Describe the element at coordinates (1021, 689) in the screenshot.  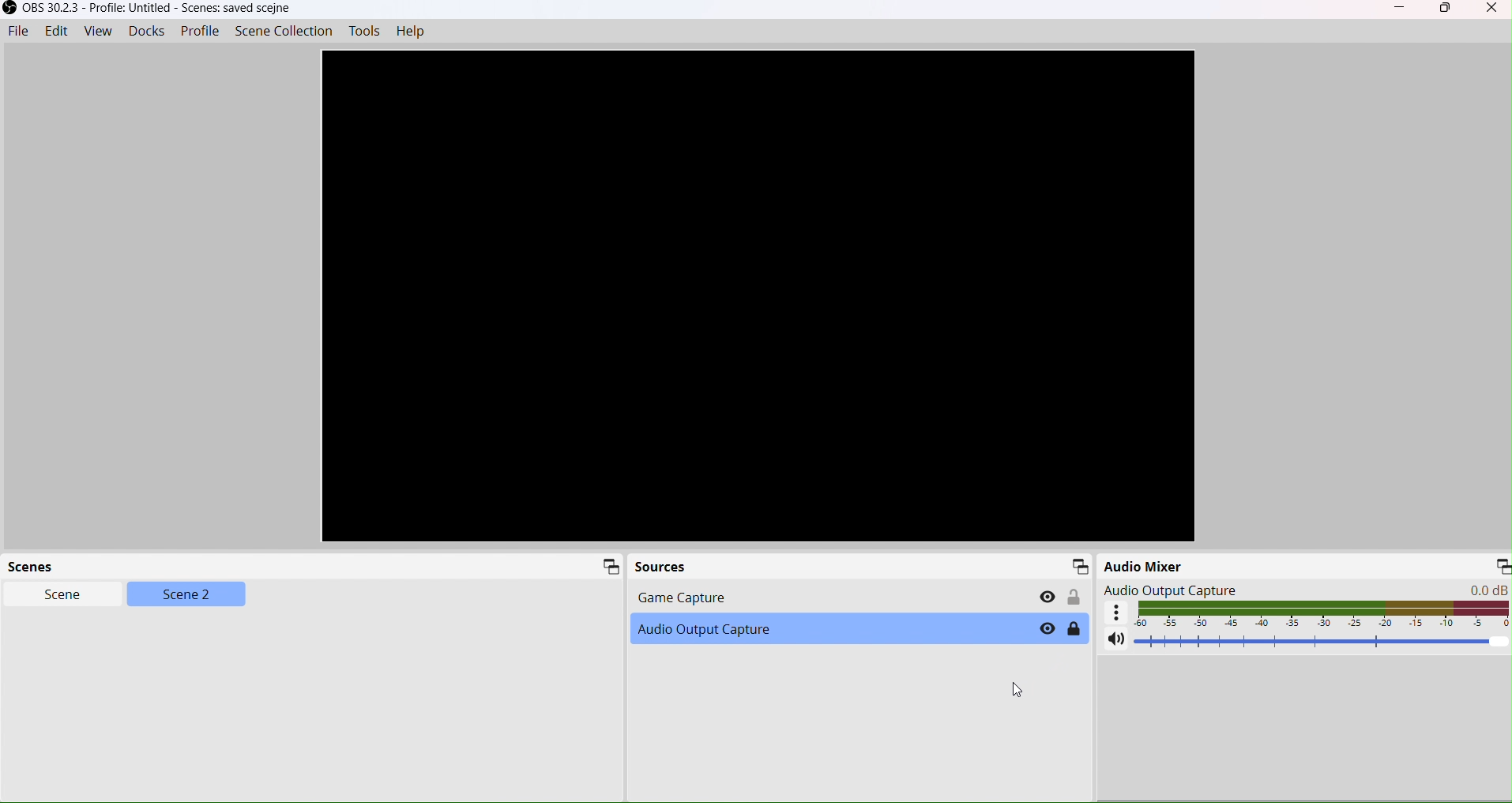
I see `Cursor` at that location.